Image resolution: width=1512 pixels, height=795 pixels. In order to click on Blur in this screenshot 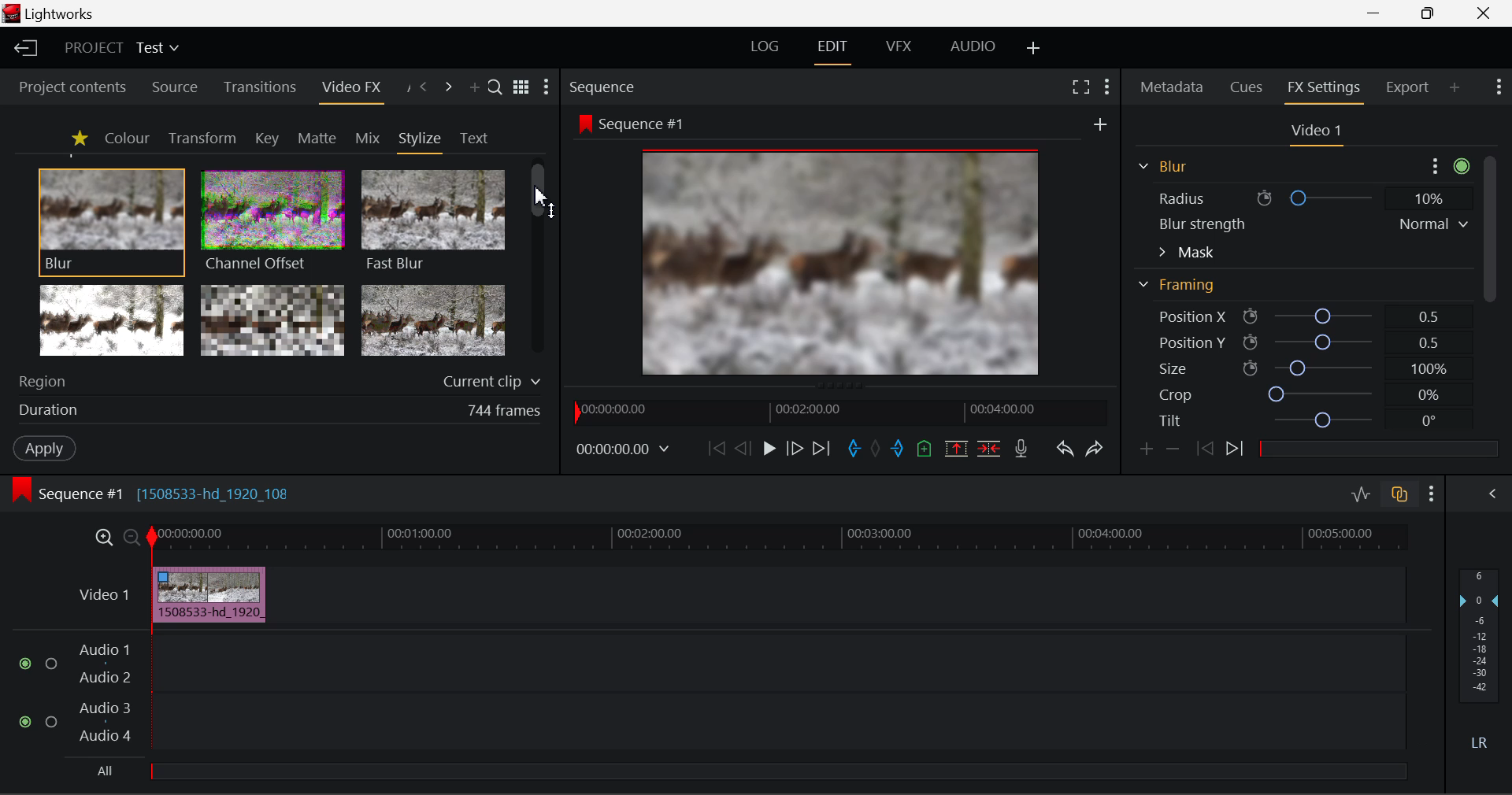, I will do `click(1161, 165)`.